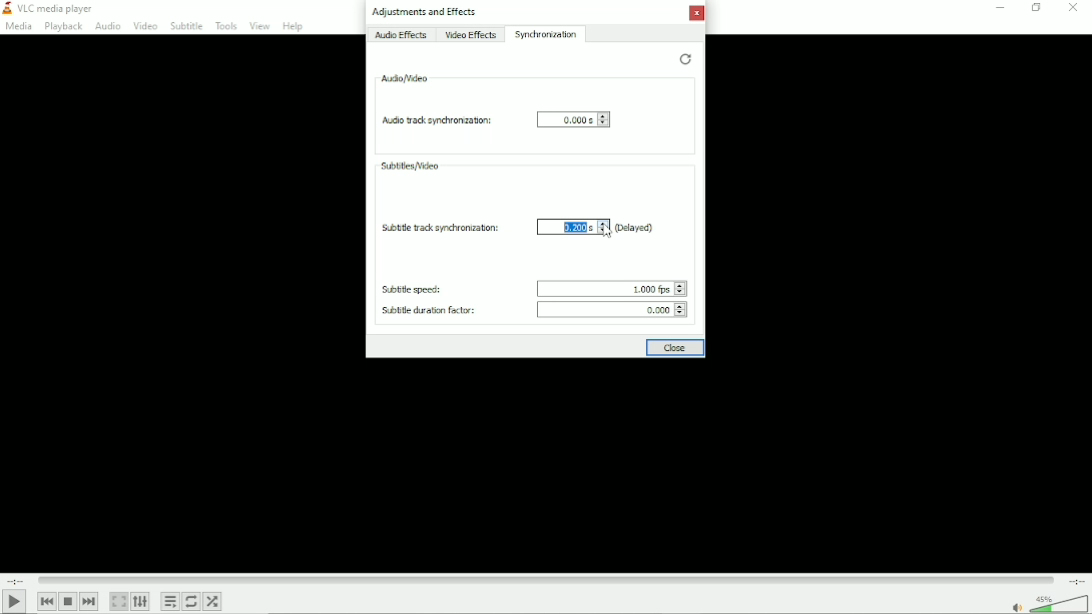  What do you see at coordinates (606, 231) in the screenshot?
I see `Cursor` at bounding box center [606, 231].